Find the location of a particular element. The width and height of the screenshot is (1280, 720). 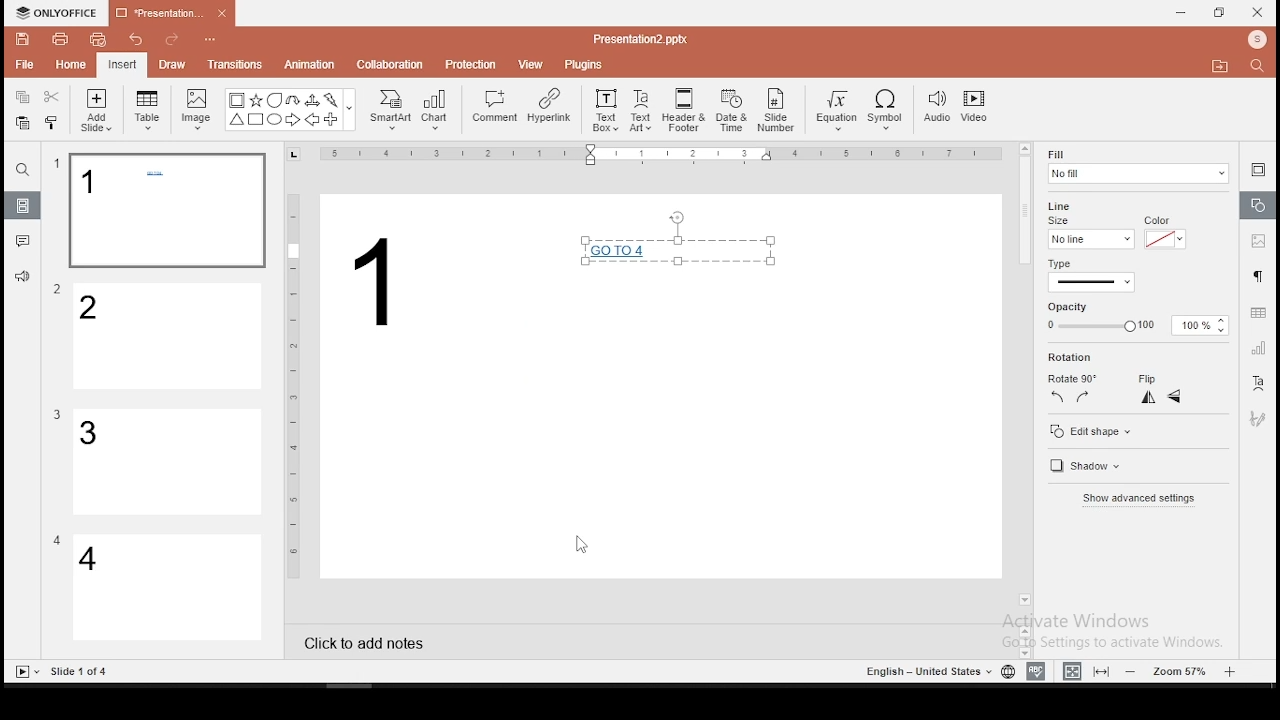

Plus is located at coordinates (332, 120).